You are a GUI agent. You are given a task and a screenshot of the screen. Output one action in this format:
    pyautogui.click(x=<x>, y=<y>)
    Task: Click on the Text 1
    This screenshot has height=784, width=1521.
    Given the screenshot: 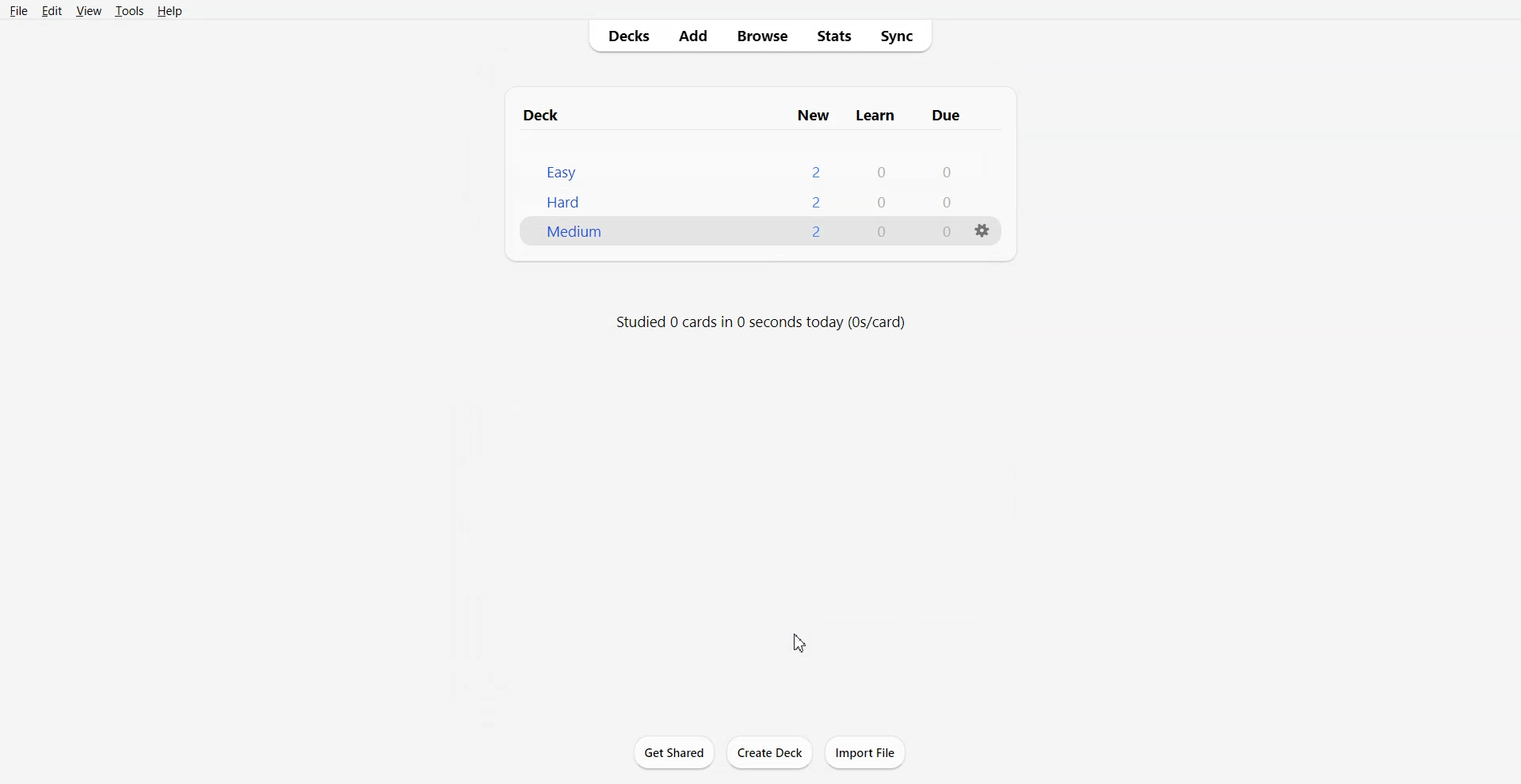 What is the action you would take?
    pyautogui.click(x=740, y=113)
    